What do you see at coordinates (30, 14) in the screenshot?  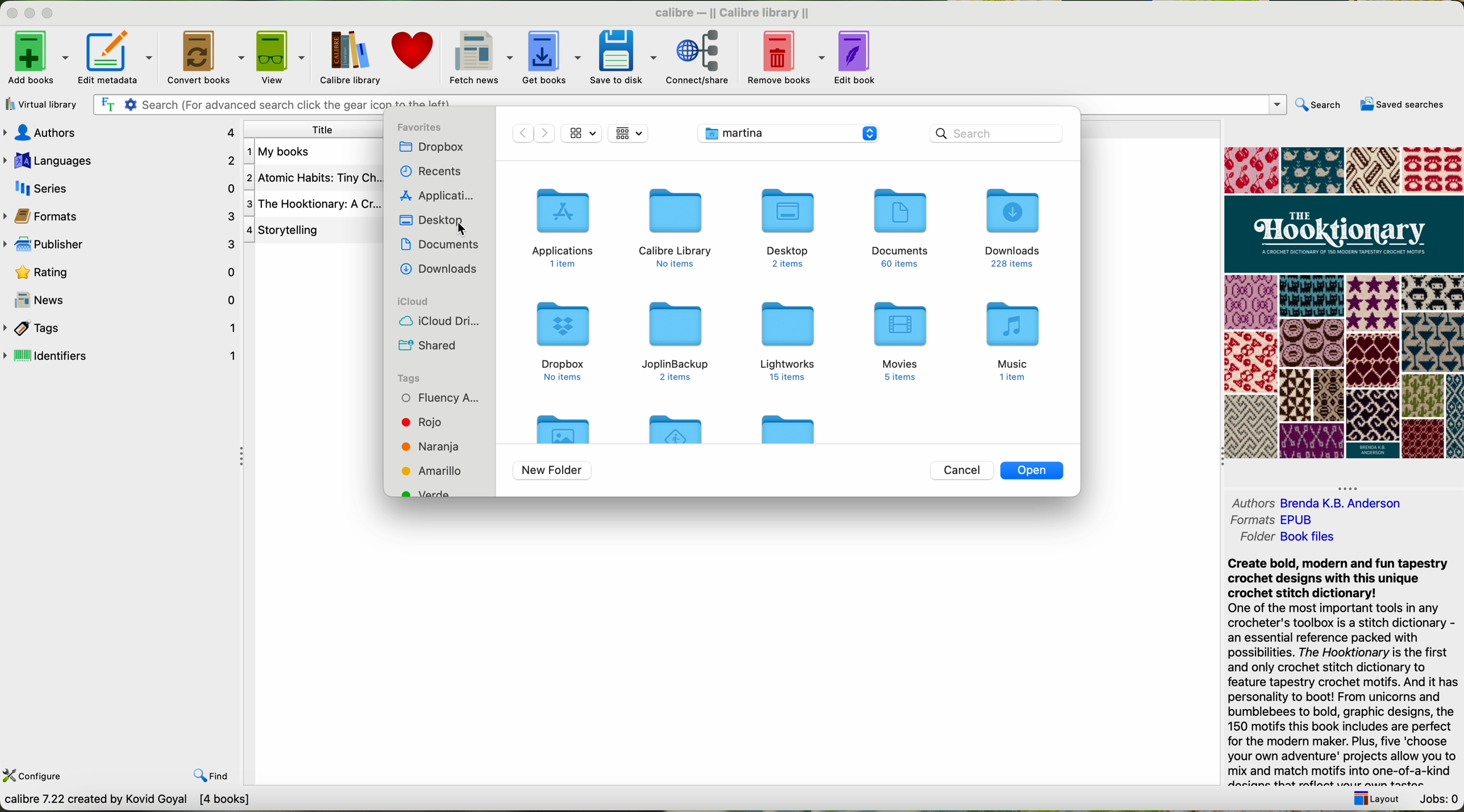 I see `minimize Calibre` at bounding box center [30, 14].